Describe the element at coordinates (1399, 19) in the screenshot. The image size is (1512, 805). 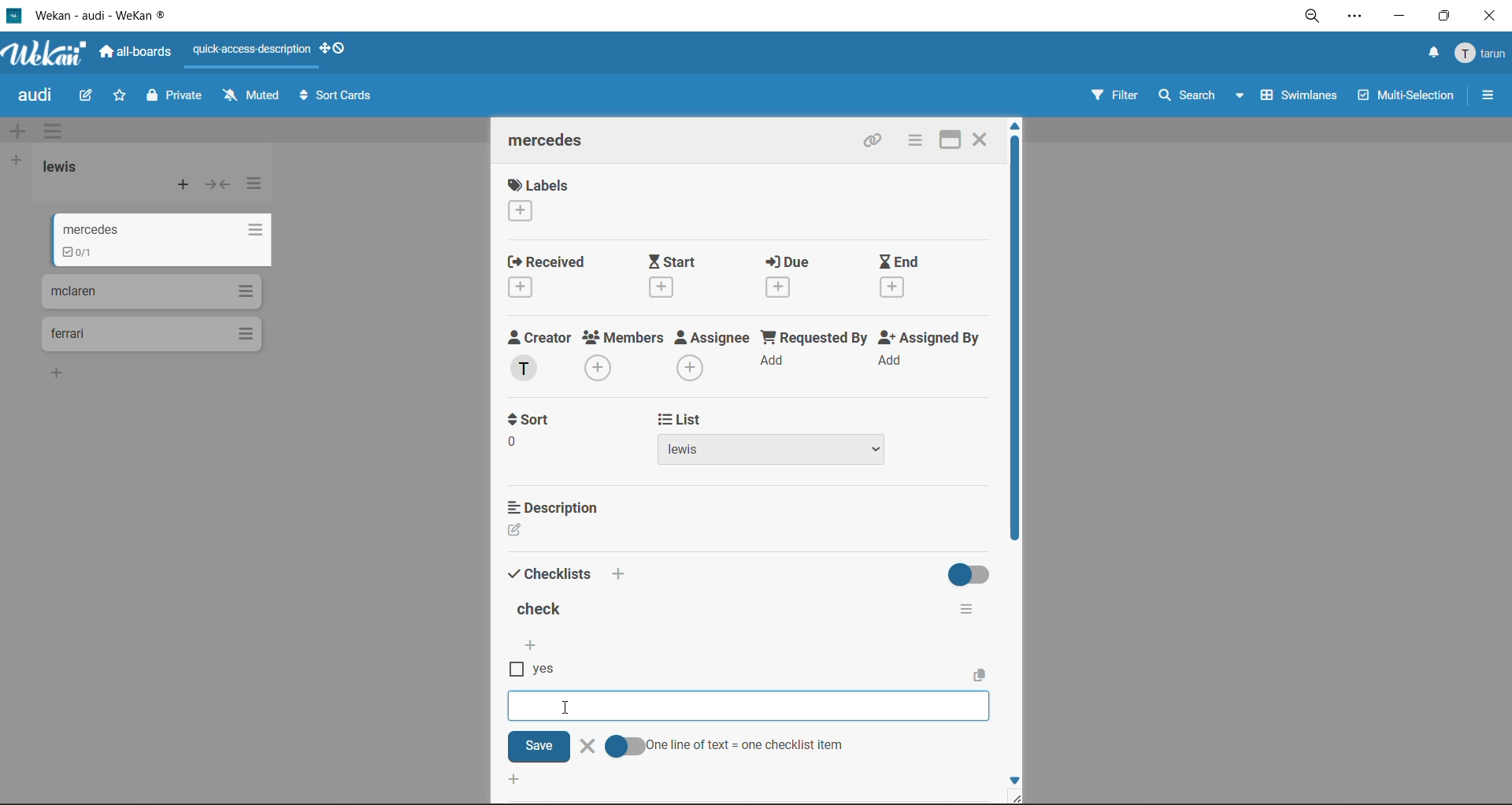
I see `minimize` at that location.